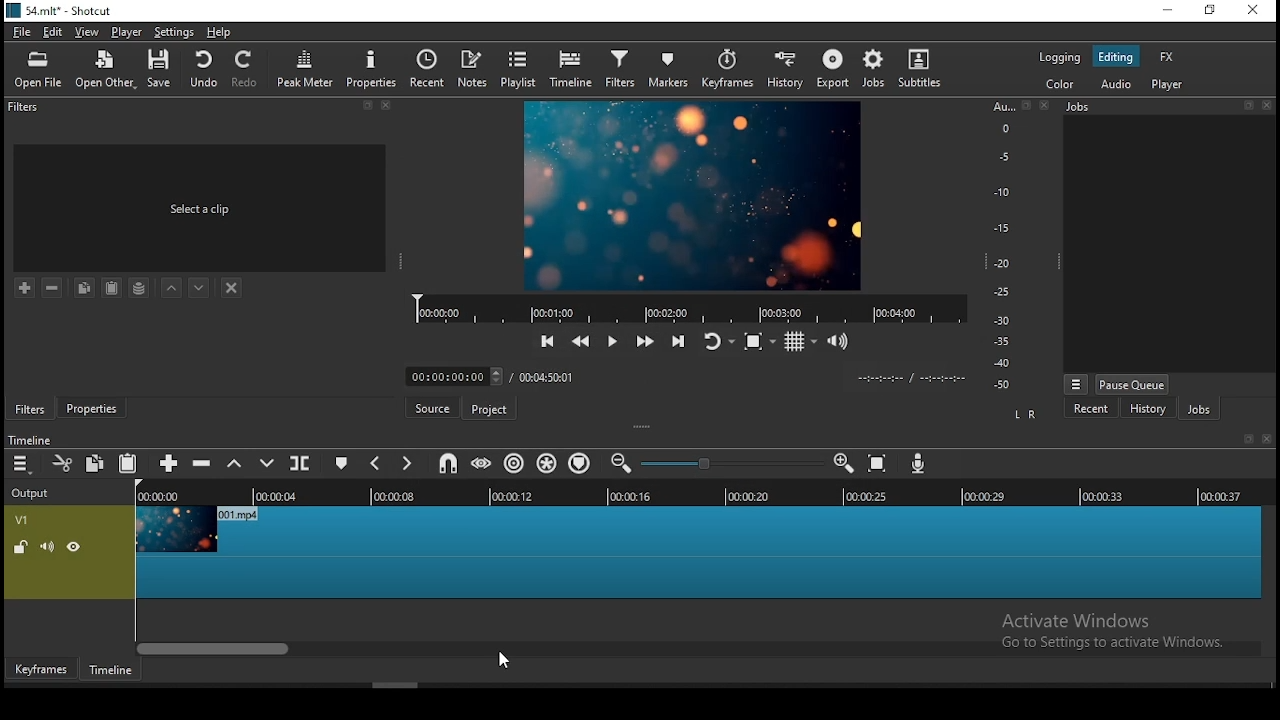 Image resolution: width=1280 pixels, height=720 pixels. I want to click on jobs menu, so click(1077, 386).